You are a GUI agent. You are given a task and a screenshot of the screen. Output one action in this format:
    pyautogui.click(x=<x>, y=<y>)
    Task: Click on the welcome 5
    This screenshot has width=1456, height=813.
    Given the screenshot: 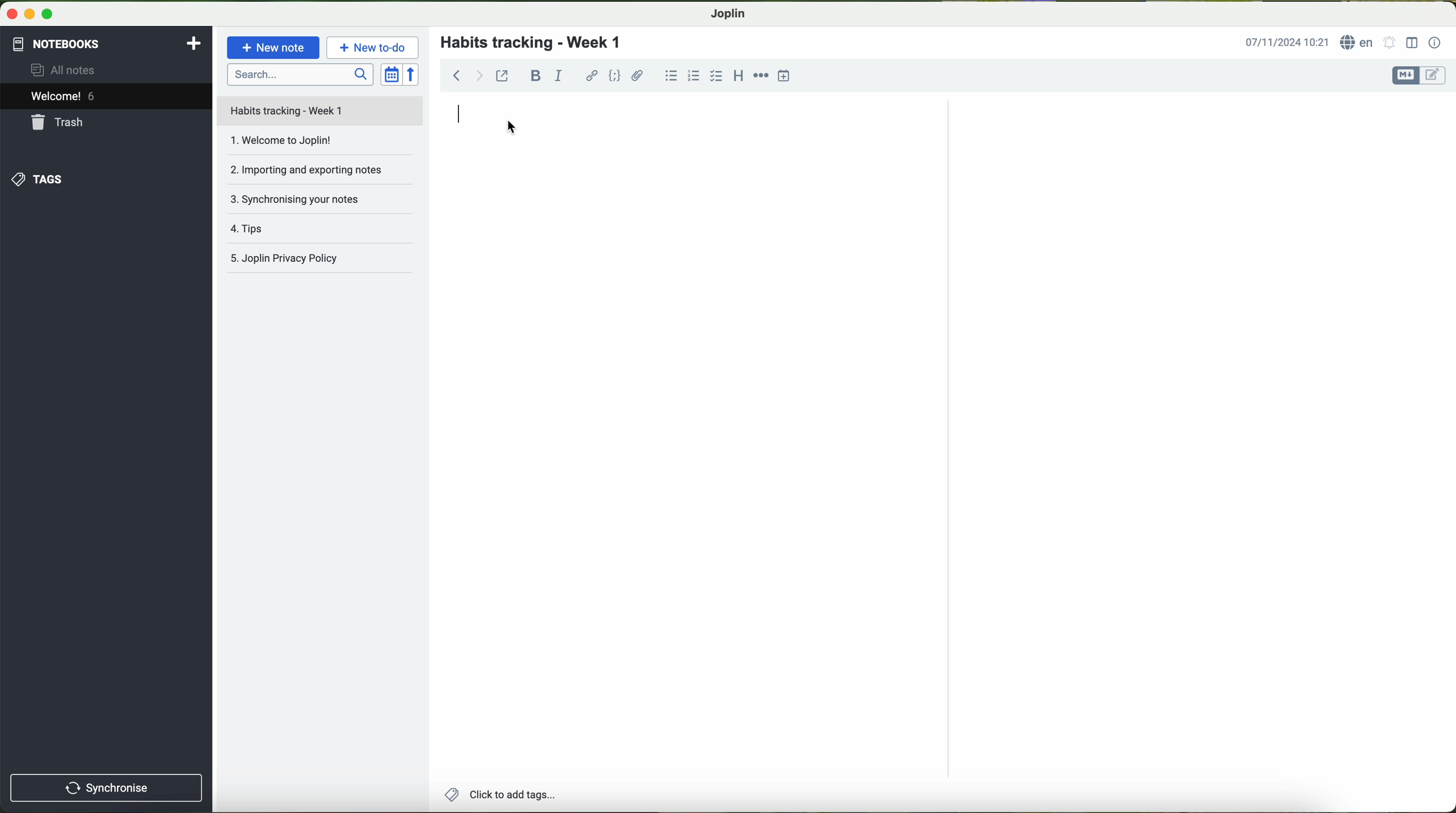 What is the action you would take?
    pyautogui.click(x=63, y=96)
    